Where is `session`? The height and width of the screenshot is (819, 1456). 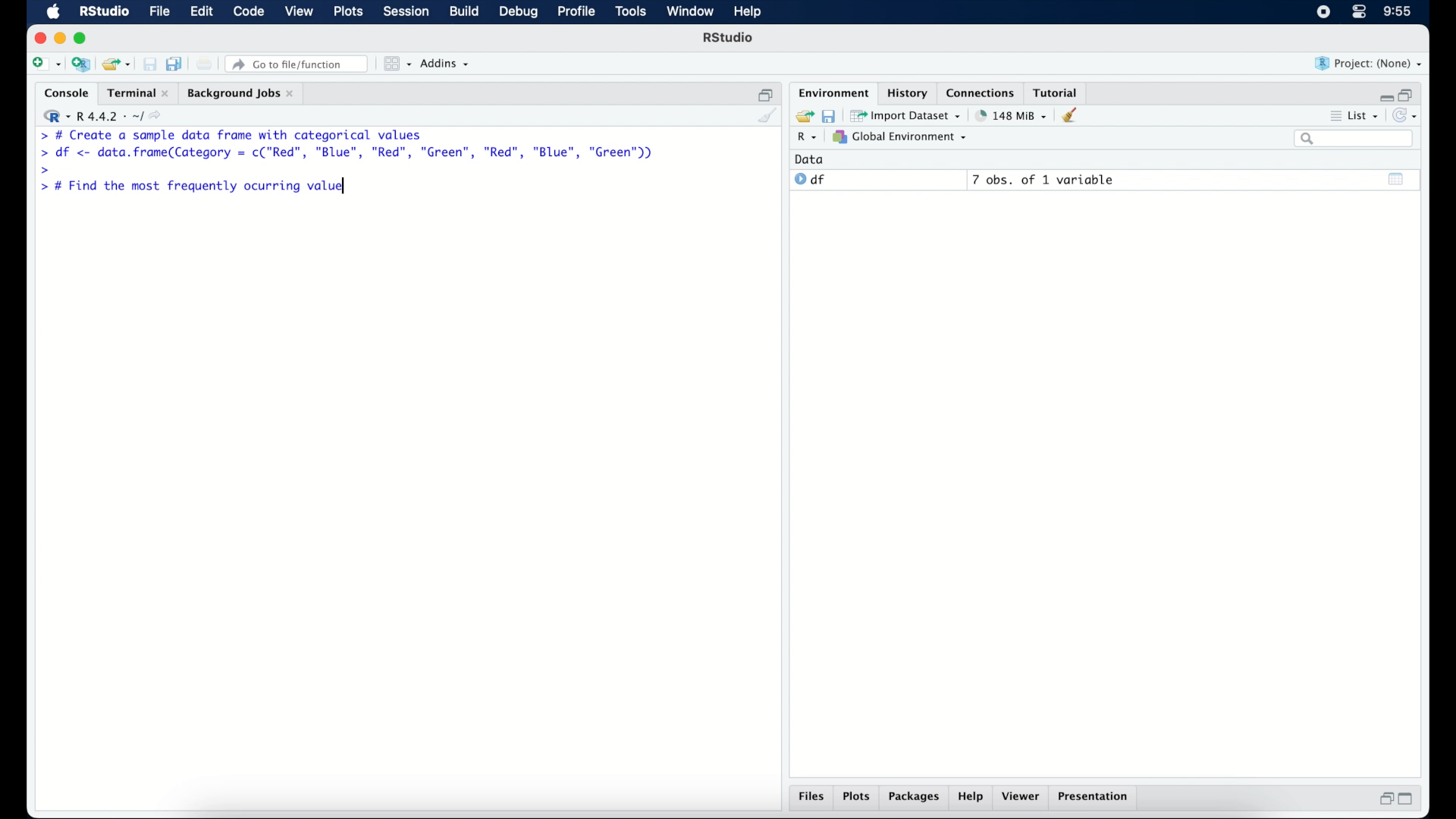
session is located at coordinates (406, 12).